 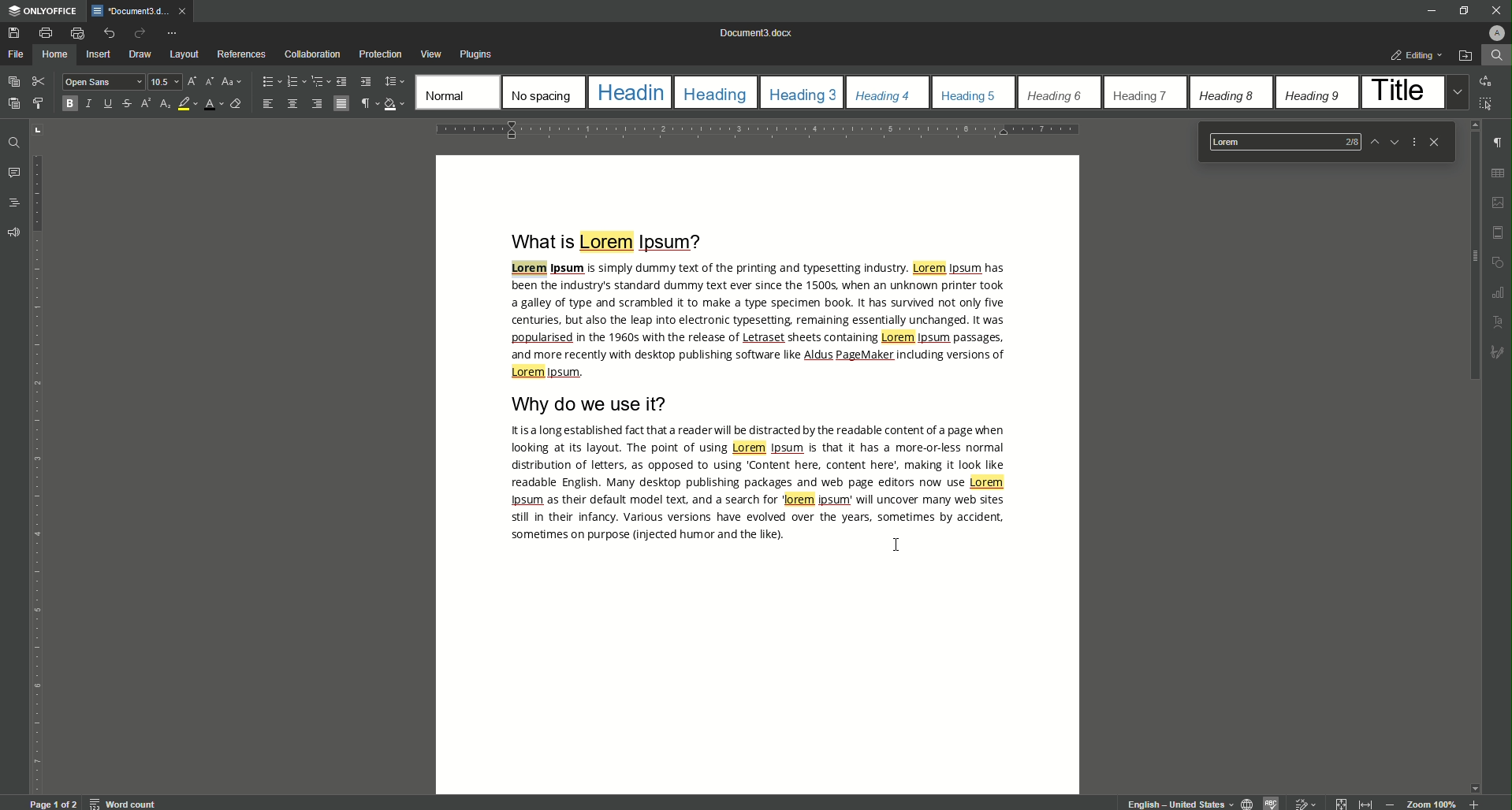 What do you see at coordinates (1425, 10) in the screenshot?
I see `Minimize` at bounding box center [1425, 10].